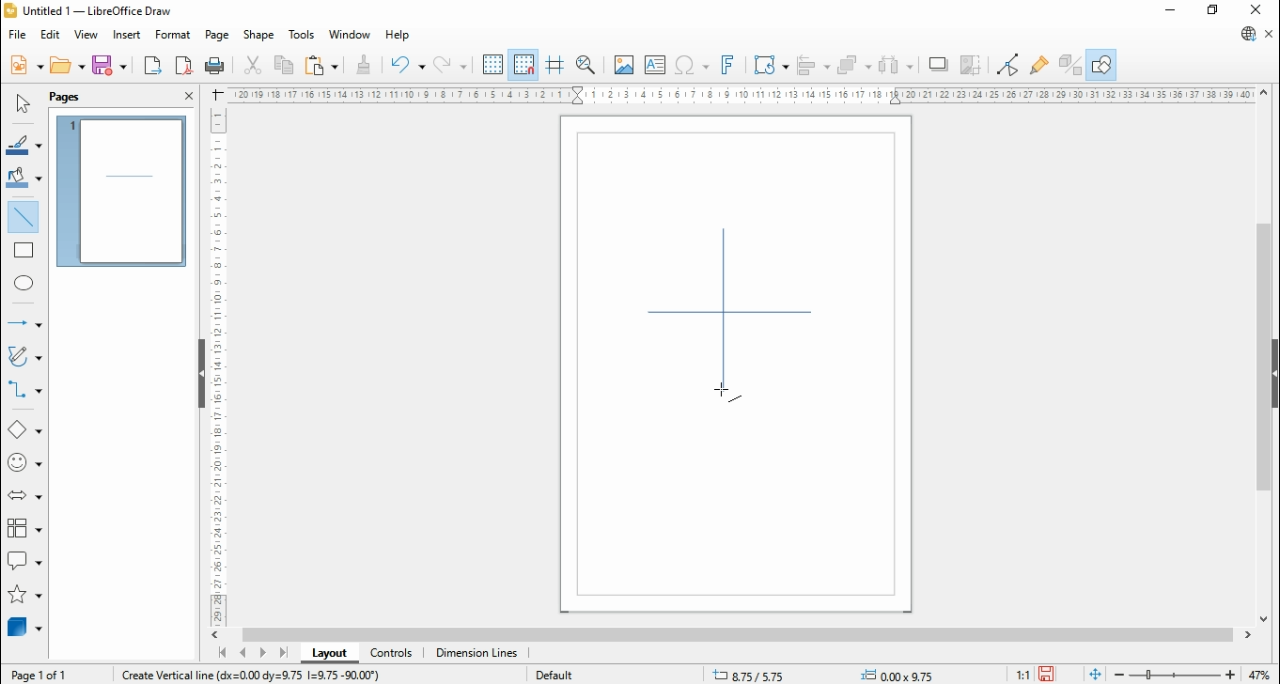 The image size is (1280, 684). What do you see at coordinates (25, 627) in the screenshot?
I see `3D objects` at bounding box center [25, 627].